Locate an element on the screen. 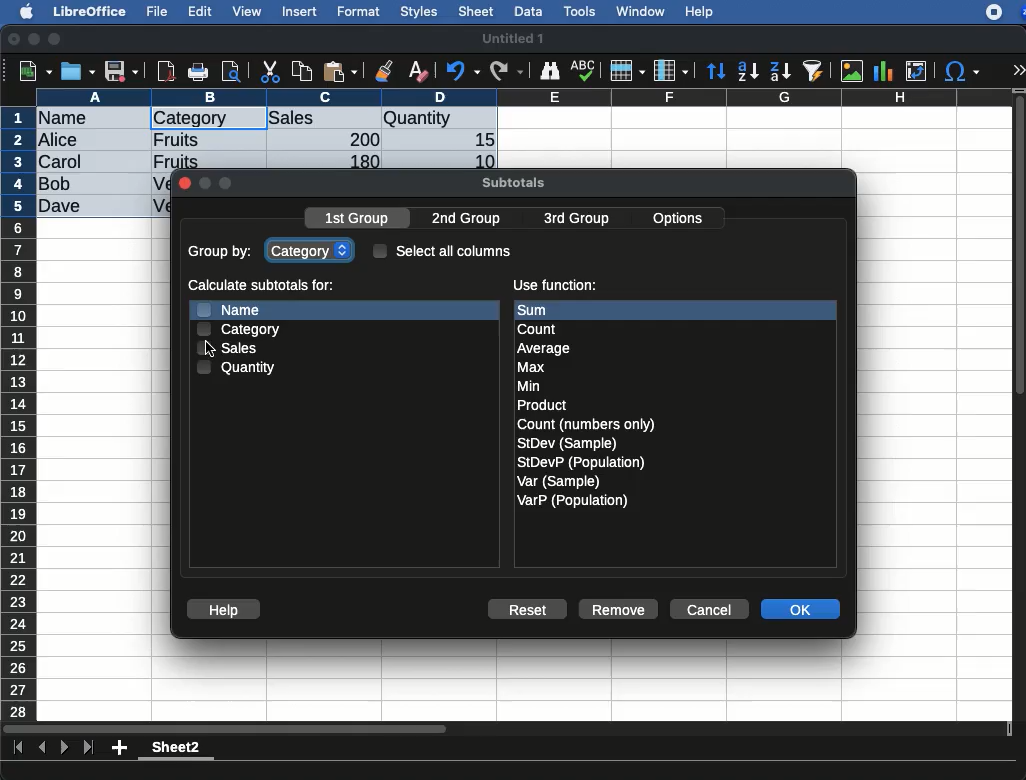 The width and height of the screenshot is (1026, 780). copy is located at coordinates (304, 71).